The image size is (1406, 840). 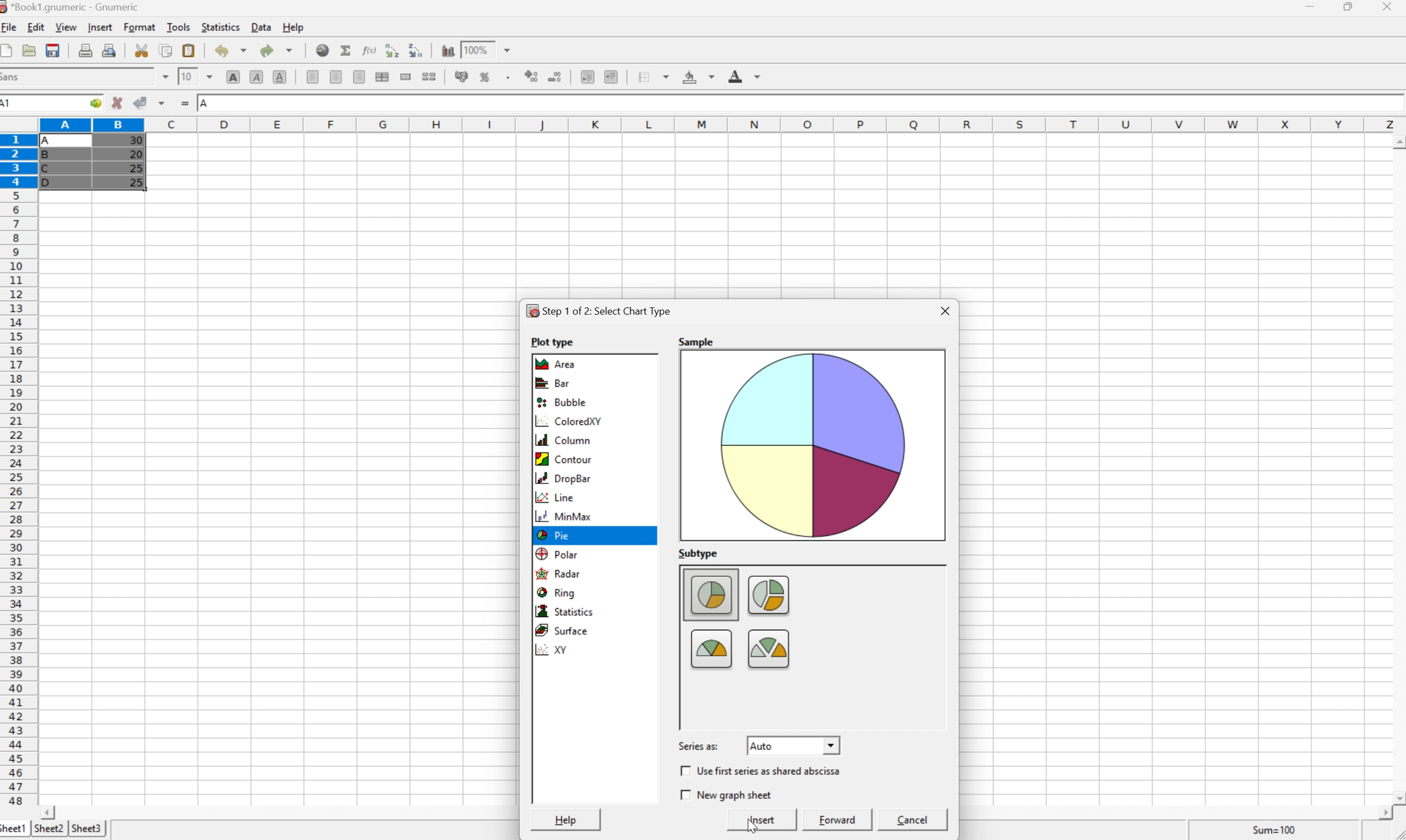 I want to click on Data, so click(x=260, y=27).